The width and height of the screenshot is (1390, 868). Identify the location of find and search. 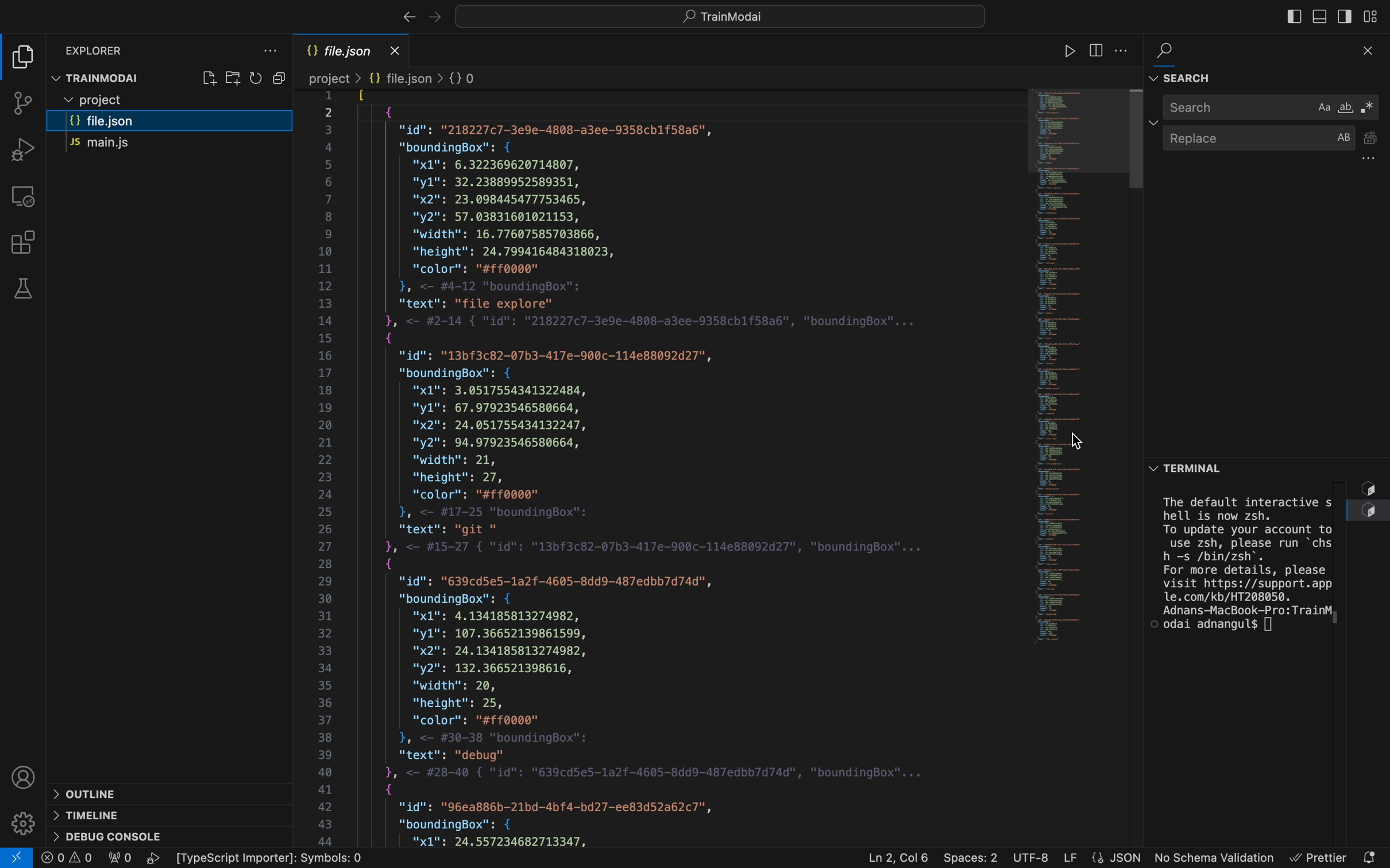
(1271, 74).